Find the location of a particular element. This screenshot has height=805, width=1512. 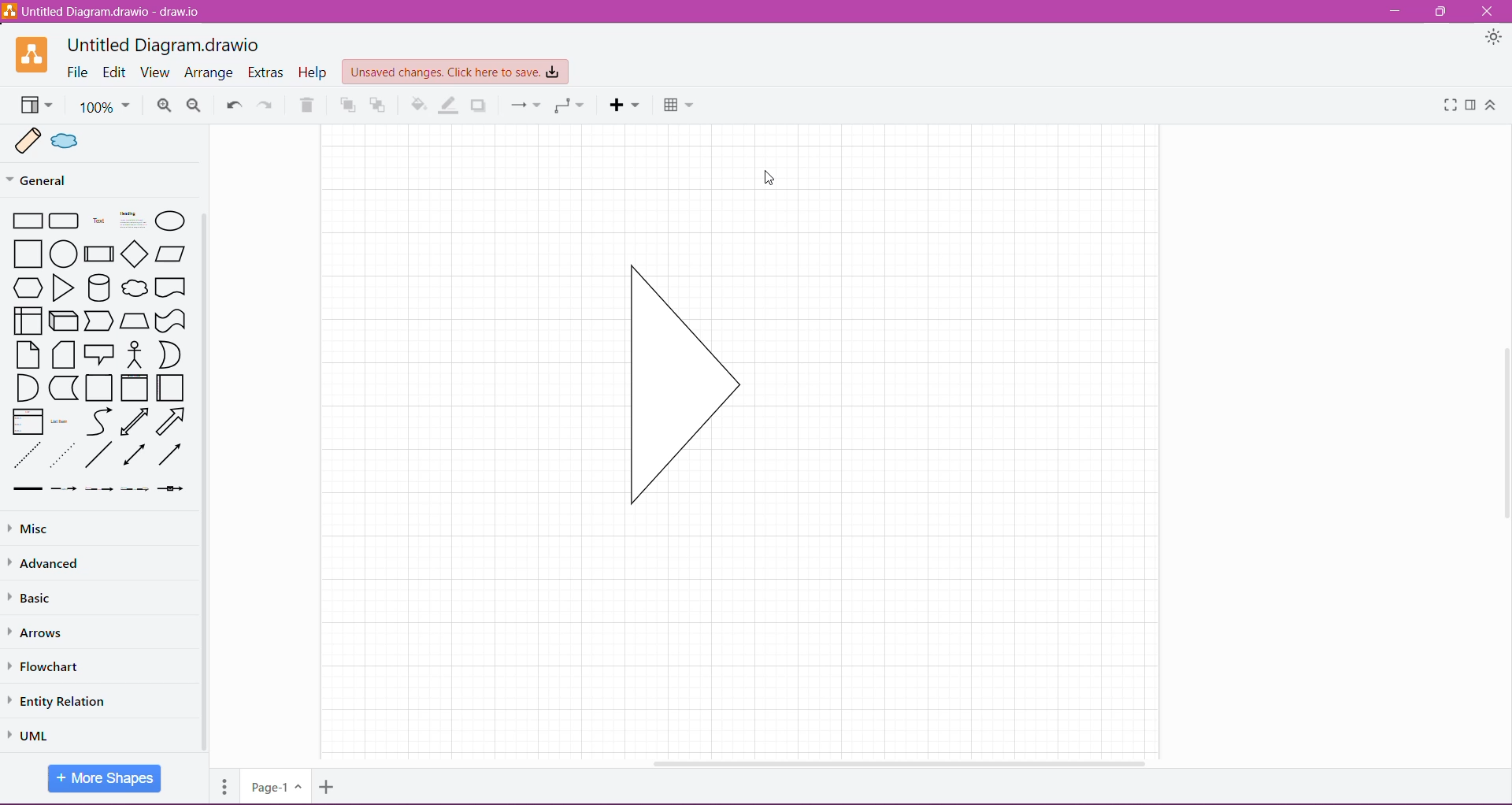

Page-1 is located at coordinates (276, 786).